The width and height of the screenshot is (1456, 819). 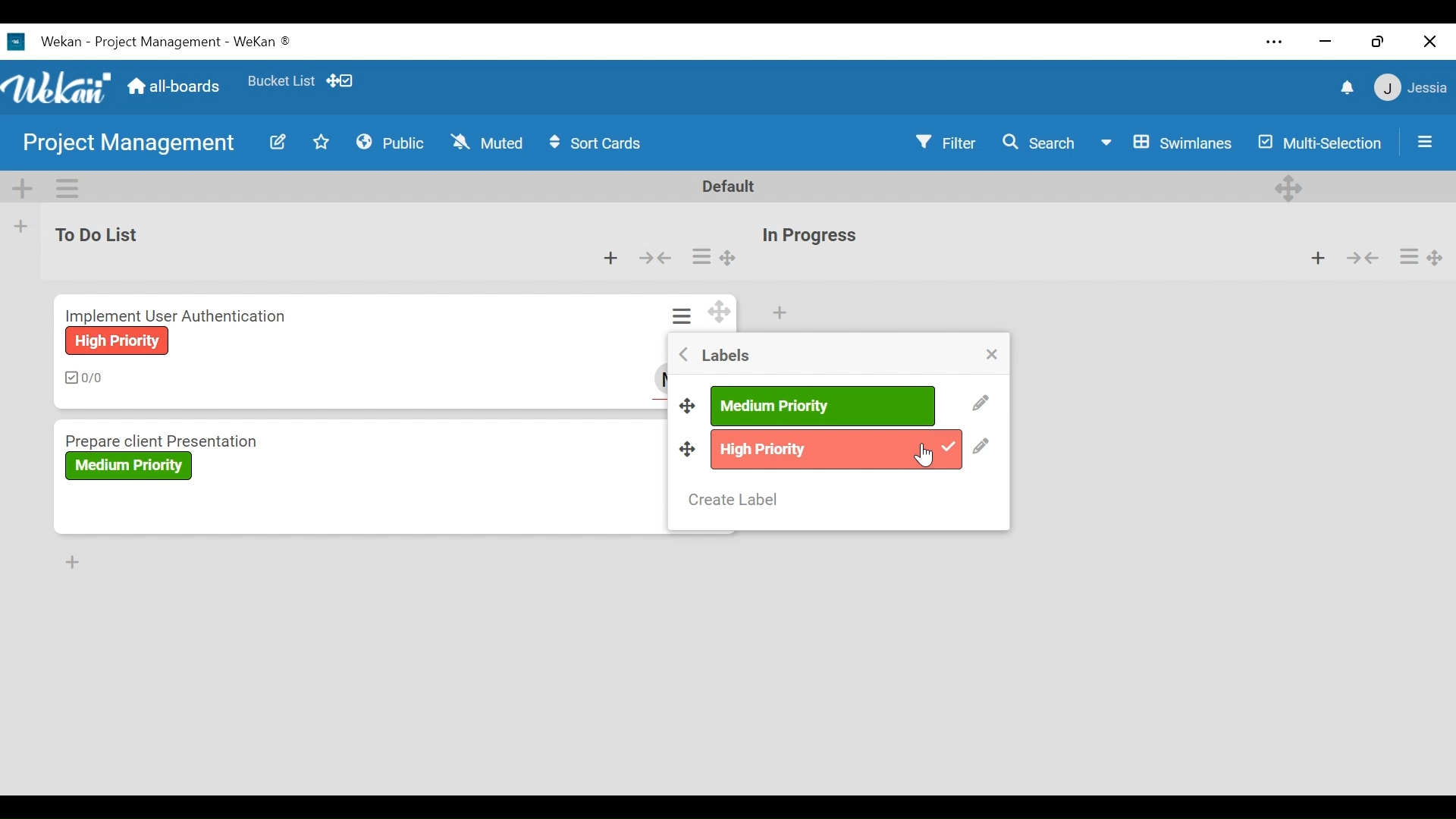 I want to click on Search, so click(x=1039, y=142).